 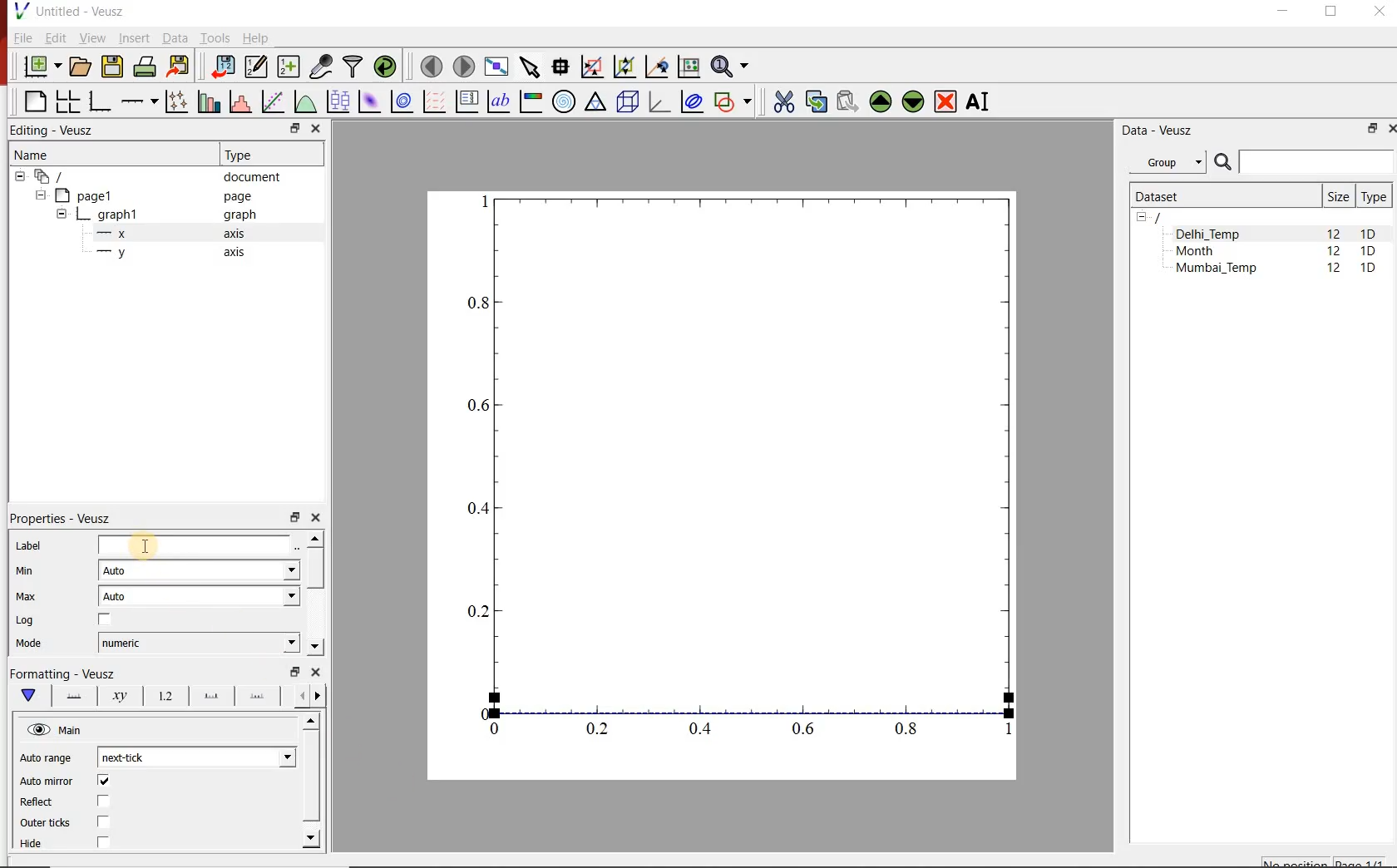 I want to click on next-tick, so click(x=196, y=757).